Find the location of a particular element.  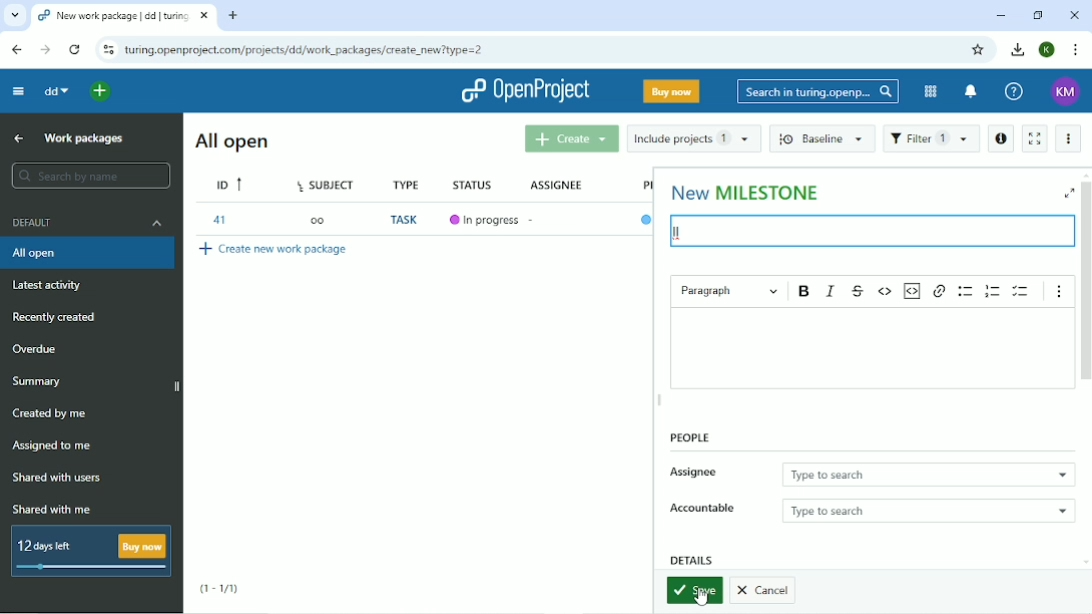

Resize is located at coordinates (660, 402).